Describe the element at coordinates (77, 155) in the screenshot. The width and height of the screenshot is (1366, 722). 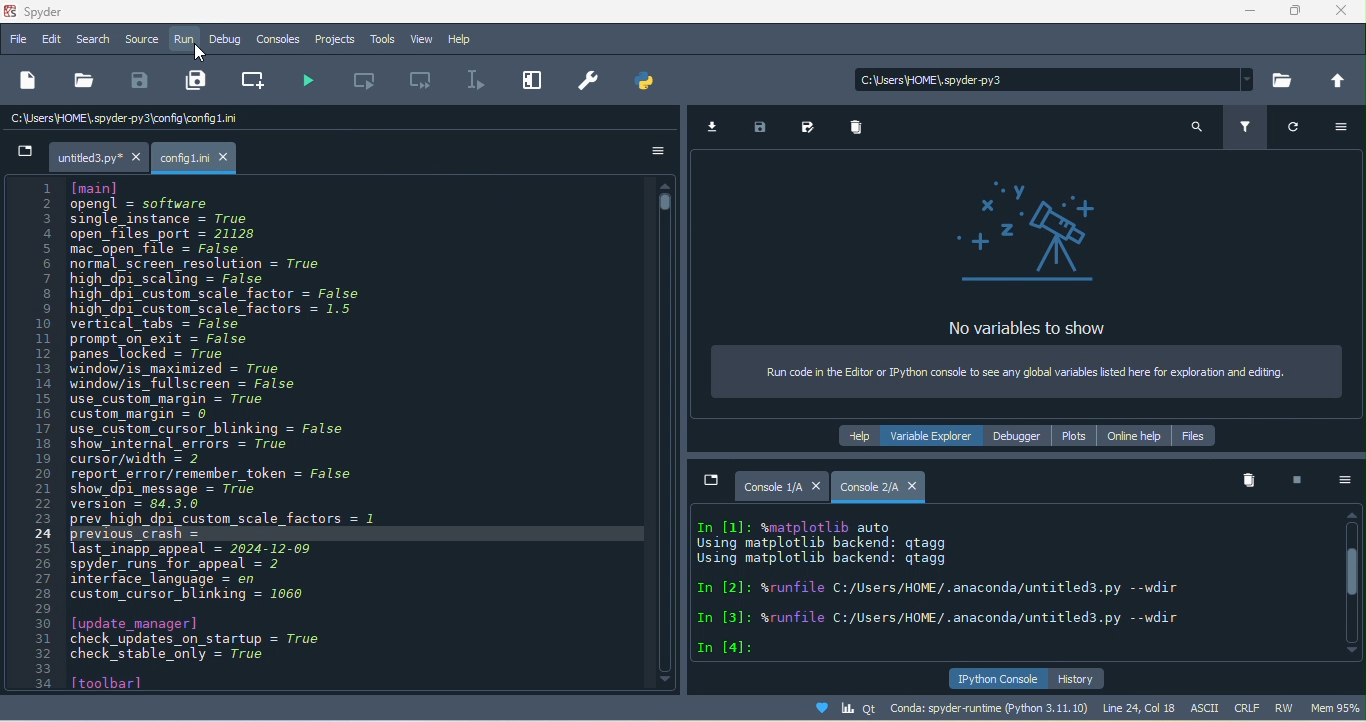
I see `untitled.py` at that location.